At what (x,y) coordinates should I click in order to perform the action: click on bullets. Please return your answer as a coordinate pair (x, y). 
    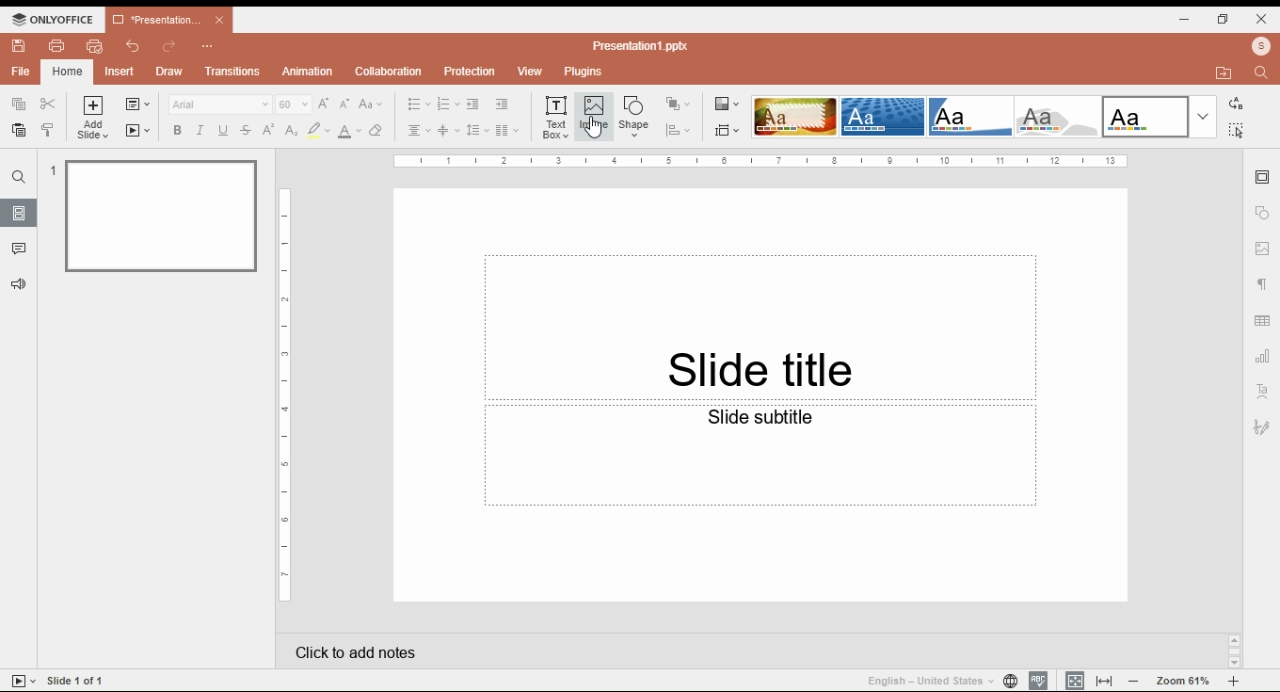
    Looking at the image, I should click on (418, 105).